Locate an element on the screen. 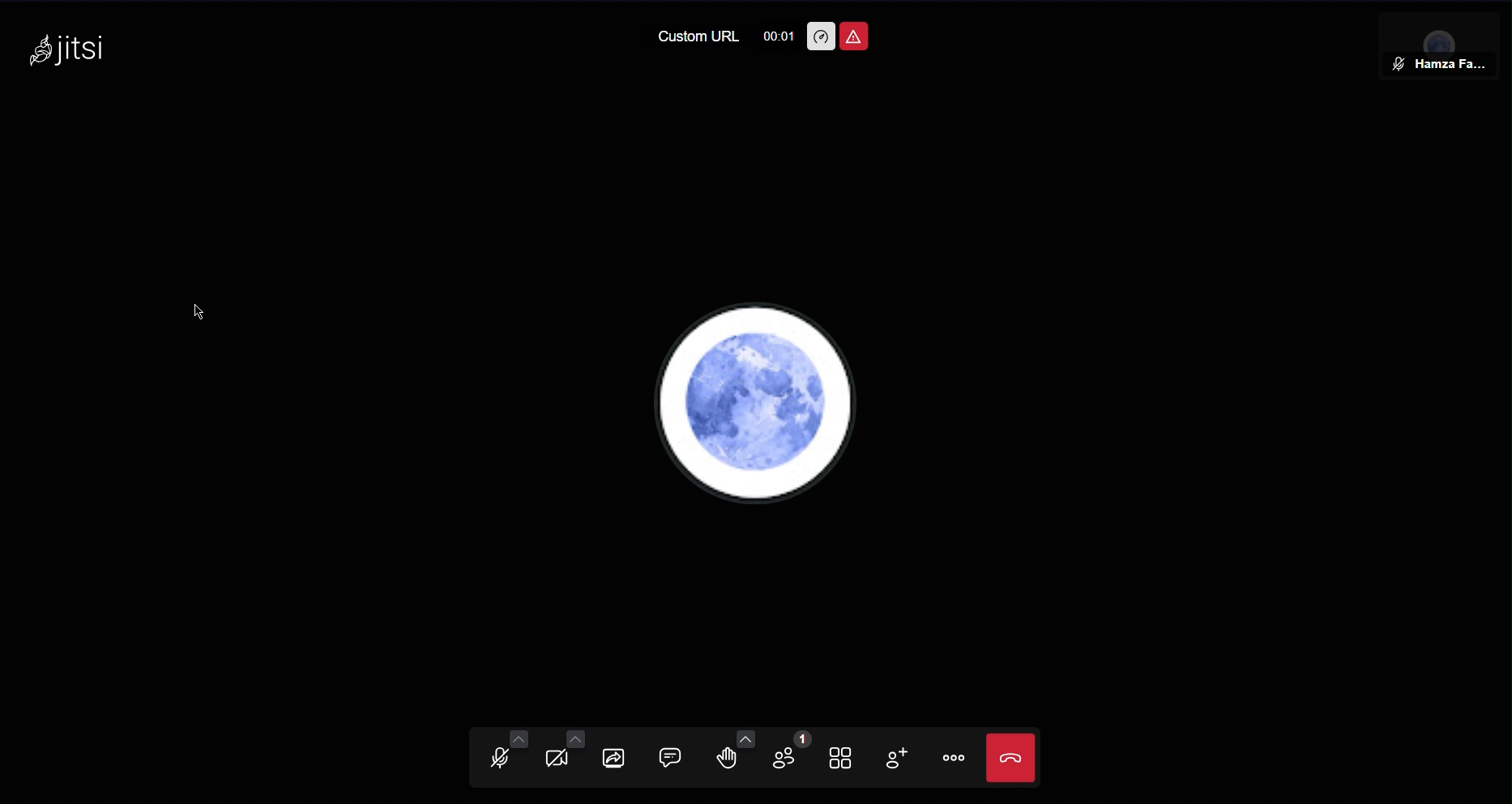 Image resolution: width=1512 pixels, height=804 pixels. Chat is located at coordinates (677, 759).